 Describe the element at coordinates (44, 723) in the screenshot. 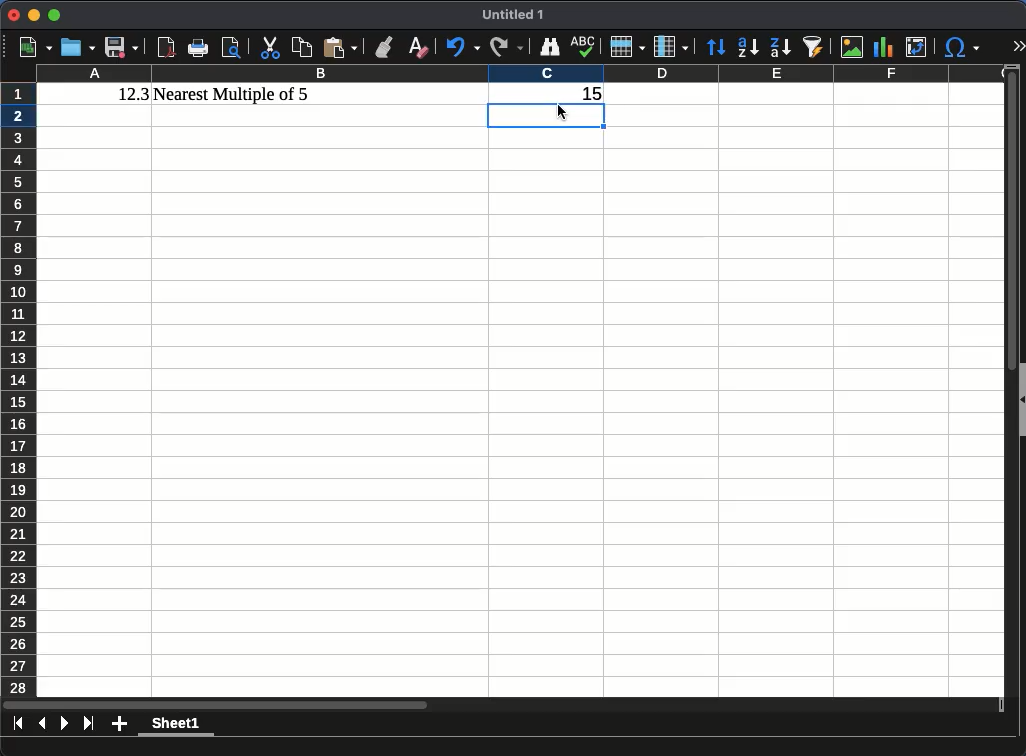

I see `previous sheet` at that location.